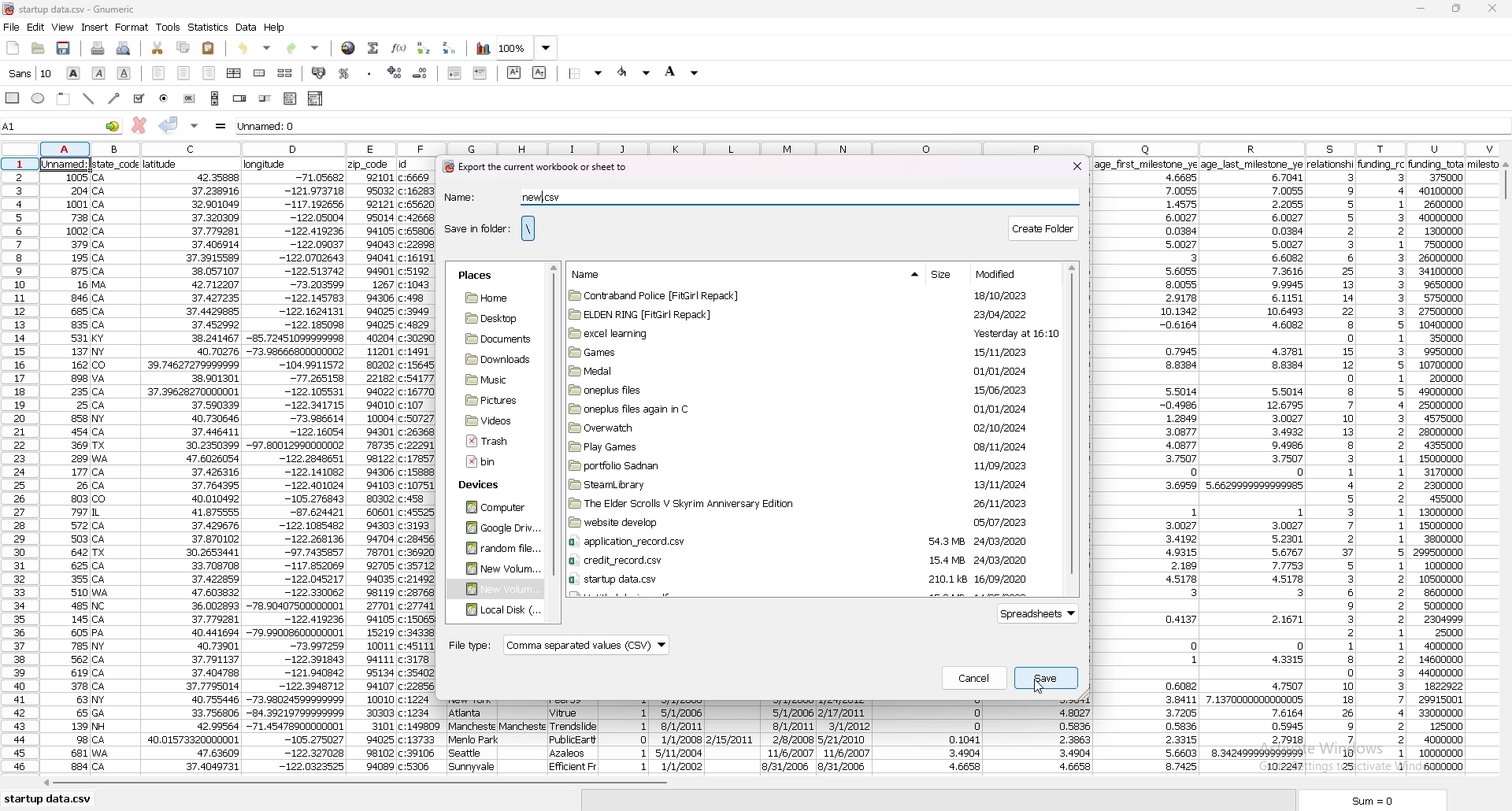 This screenshot has width=1512, height=811. What do you see at coordinates (139, 98) in the screenshot?
I see `tickbox` at bounding box center [139, 98].